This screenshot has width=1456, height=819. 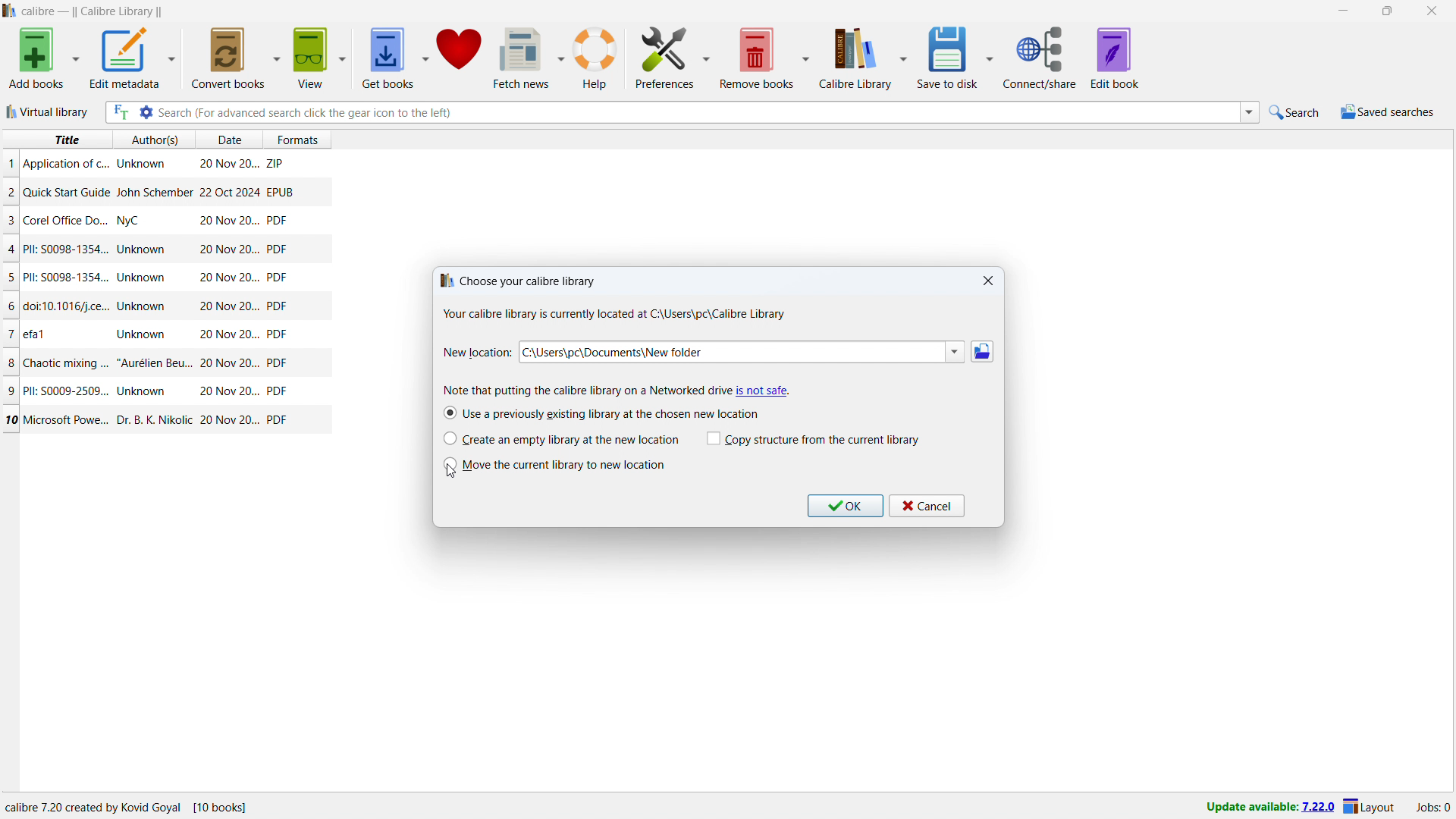 I want to click on Location, so click(x=168, y=808).